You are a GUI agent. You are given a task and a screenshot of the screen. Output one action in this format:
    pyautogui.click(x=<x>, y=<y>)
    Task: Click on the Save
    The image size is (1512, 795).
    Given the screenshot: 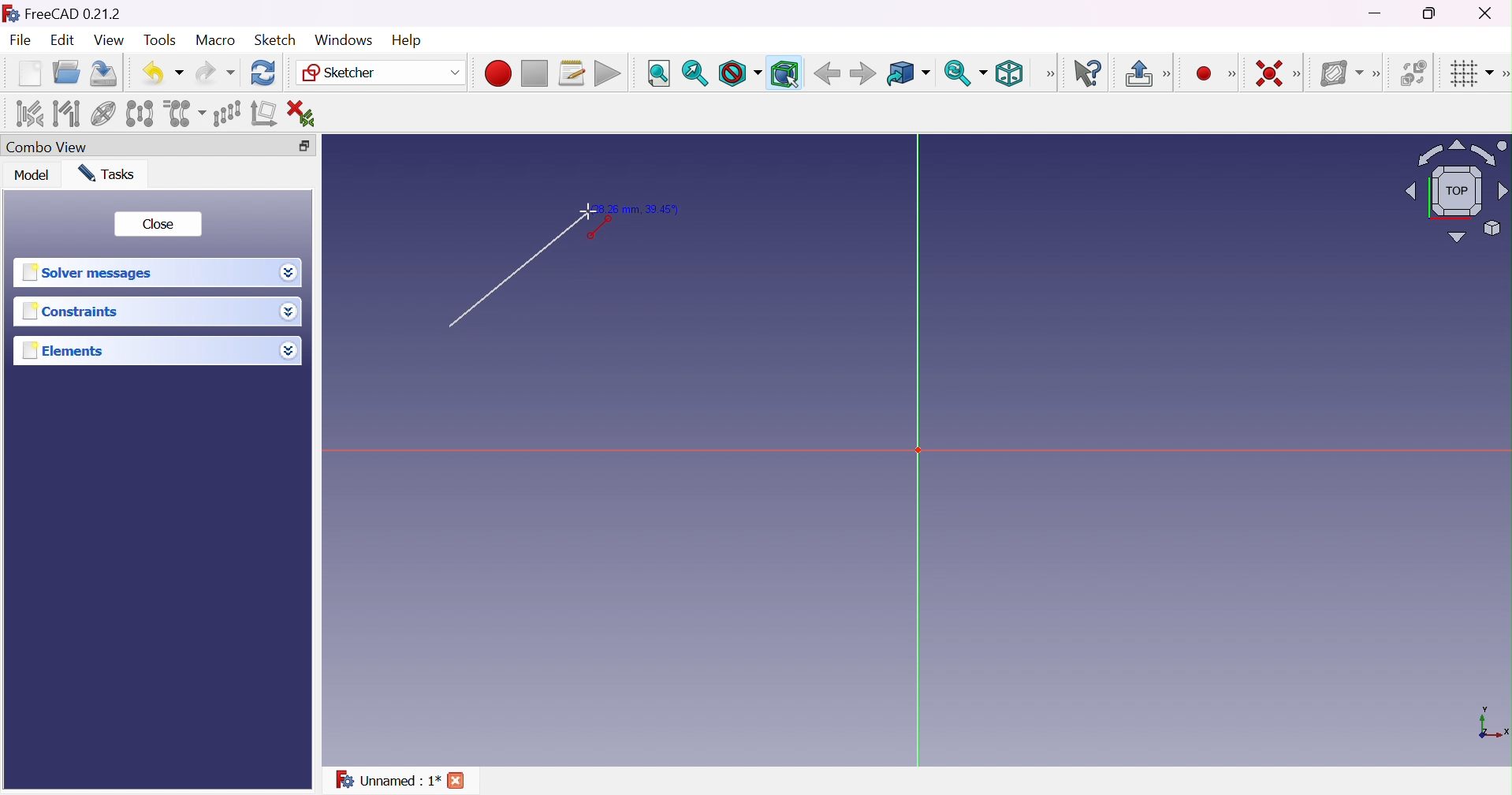 What is the action you would take?
    pyautogui.click(x=106, y=73)
    